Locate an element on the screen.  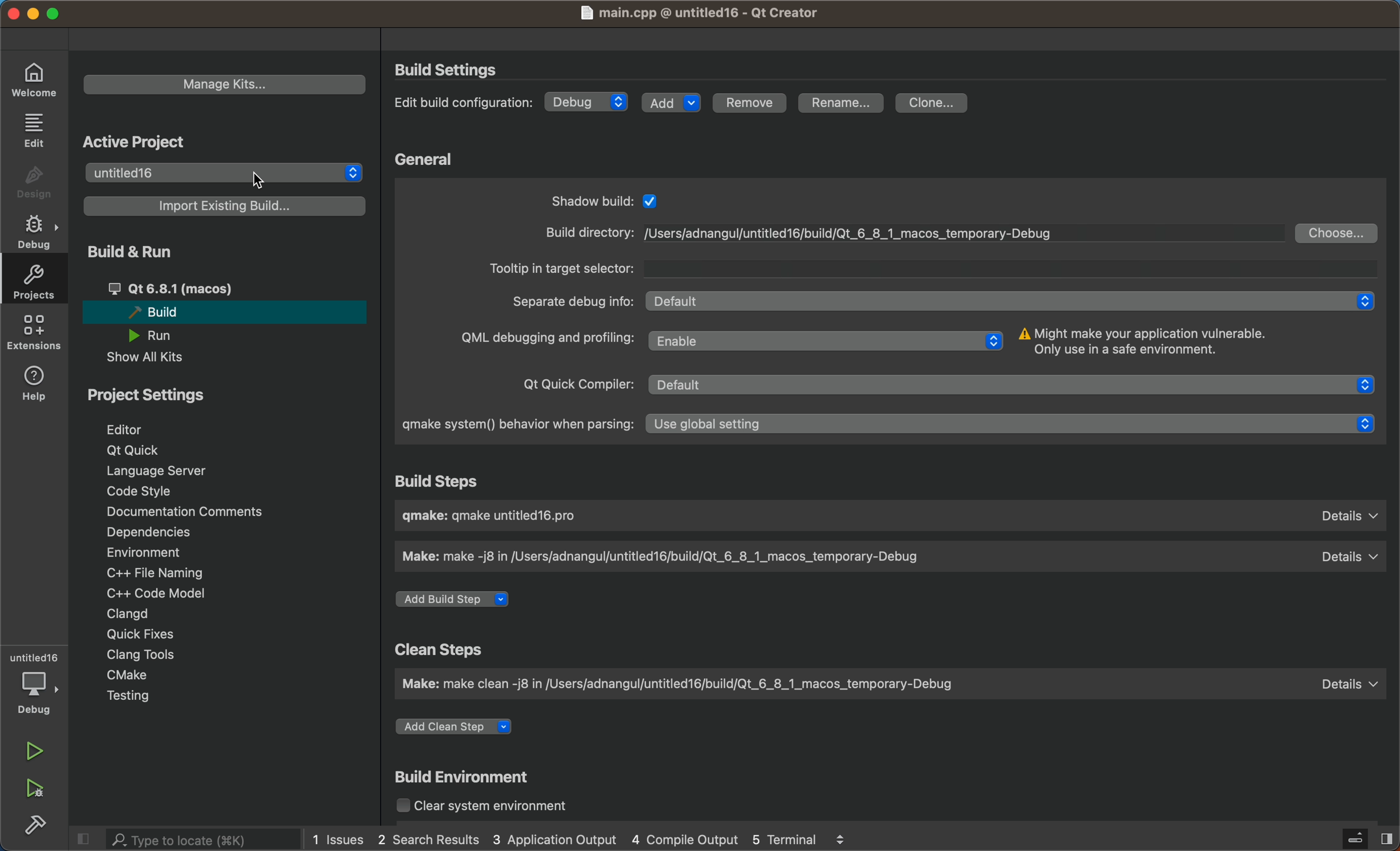
projects is located at coordinates (227, 175).